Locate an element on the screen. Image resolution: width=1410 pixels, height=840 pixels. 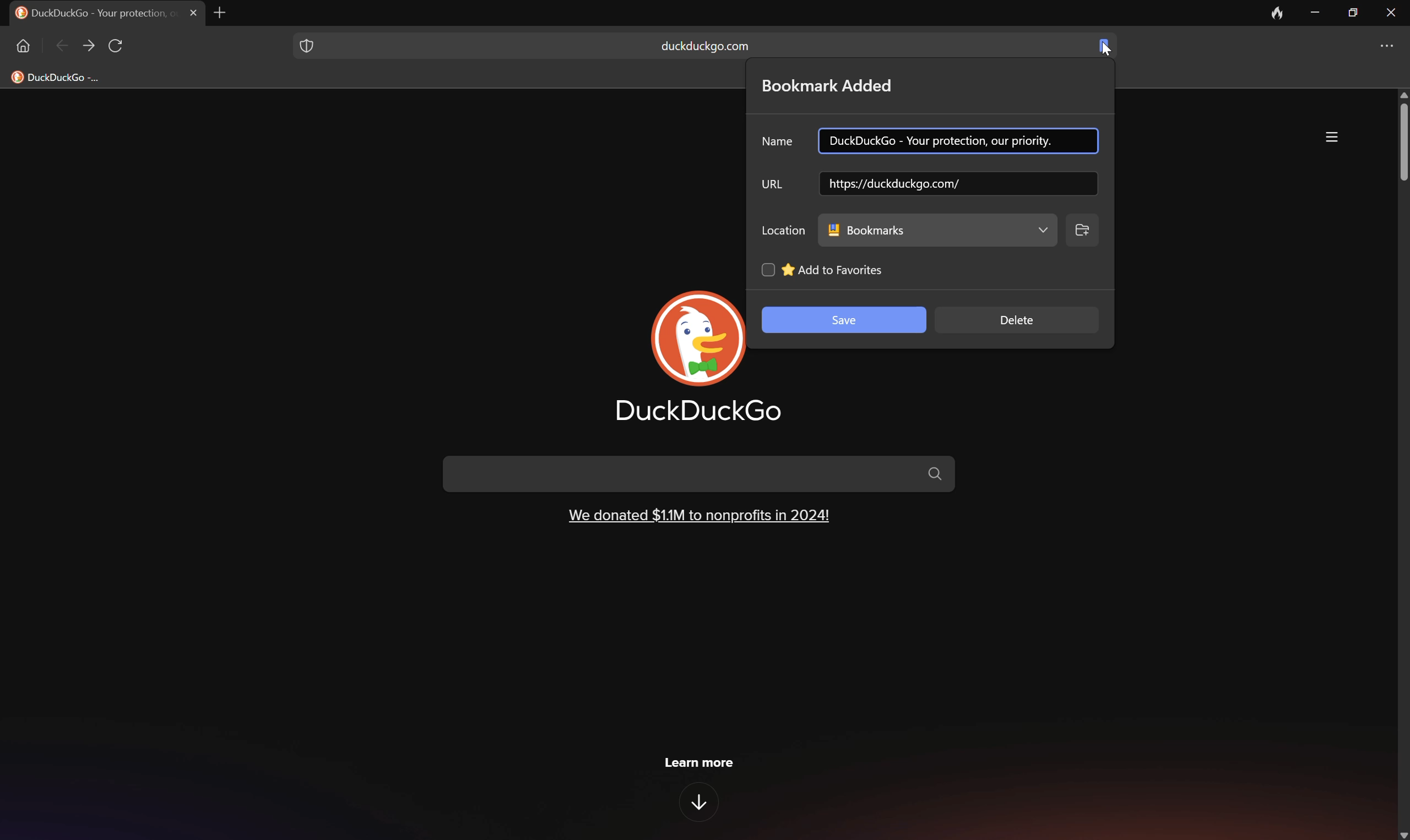
Save is located at coordinates (844, 321).